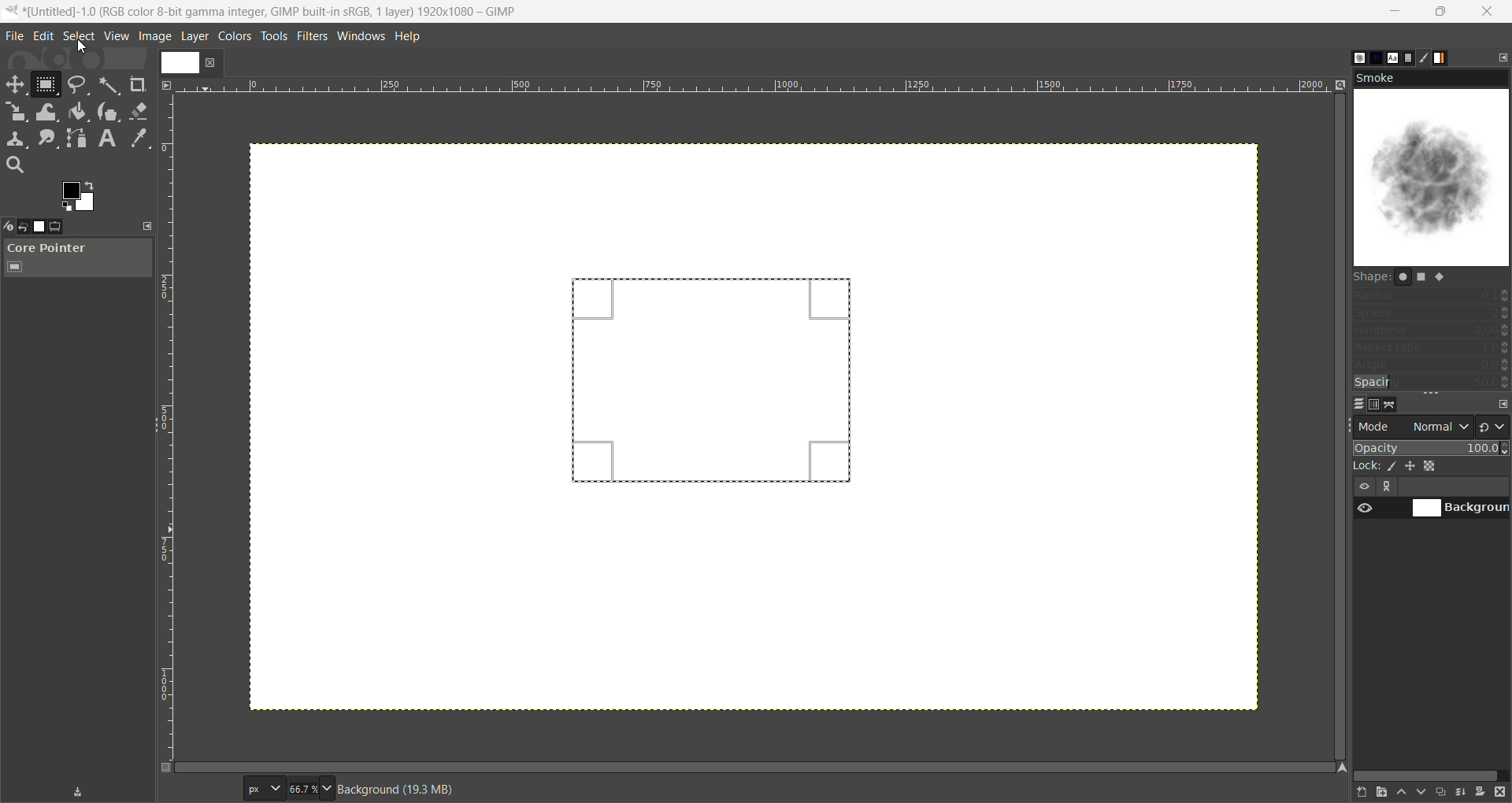 This screenshot has height=803, width=1512. Describe the element at coordinates (235, 36) in the screenshot. I see `colors` at that location.